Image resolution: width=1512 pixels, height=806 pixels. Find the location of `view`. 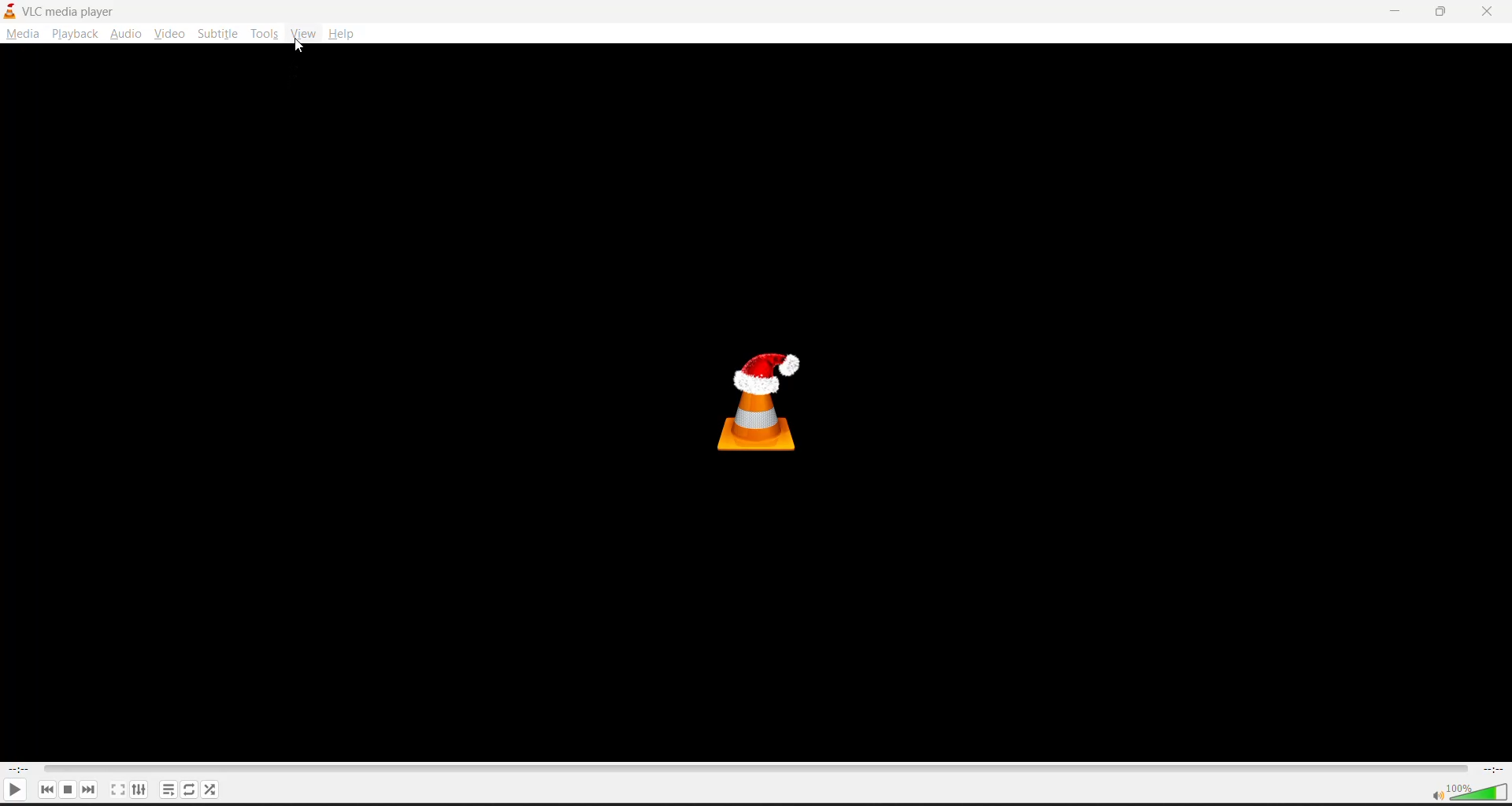

view is located at coordinates (307, 35).